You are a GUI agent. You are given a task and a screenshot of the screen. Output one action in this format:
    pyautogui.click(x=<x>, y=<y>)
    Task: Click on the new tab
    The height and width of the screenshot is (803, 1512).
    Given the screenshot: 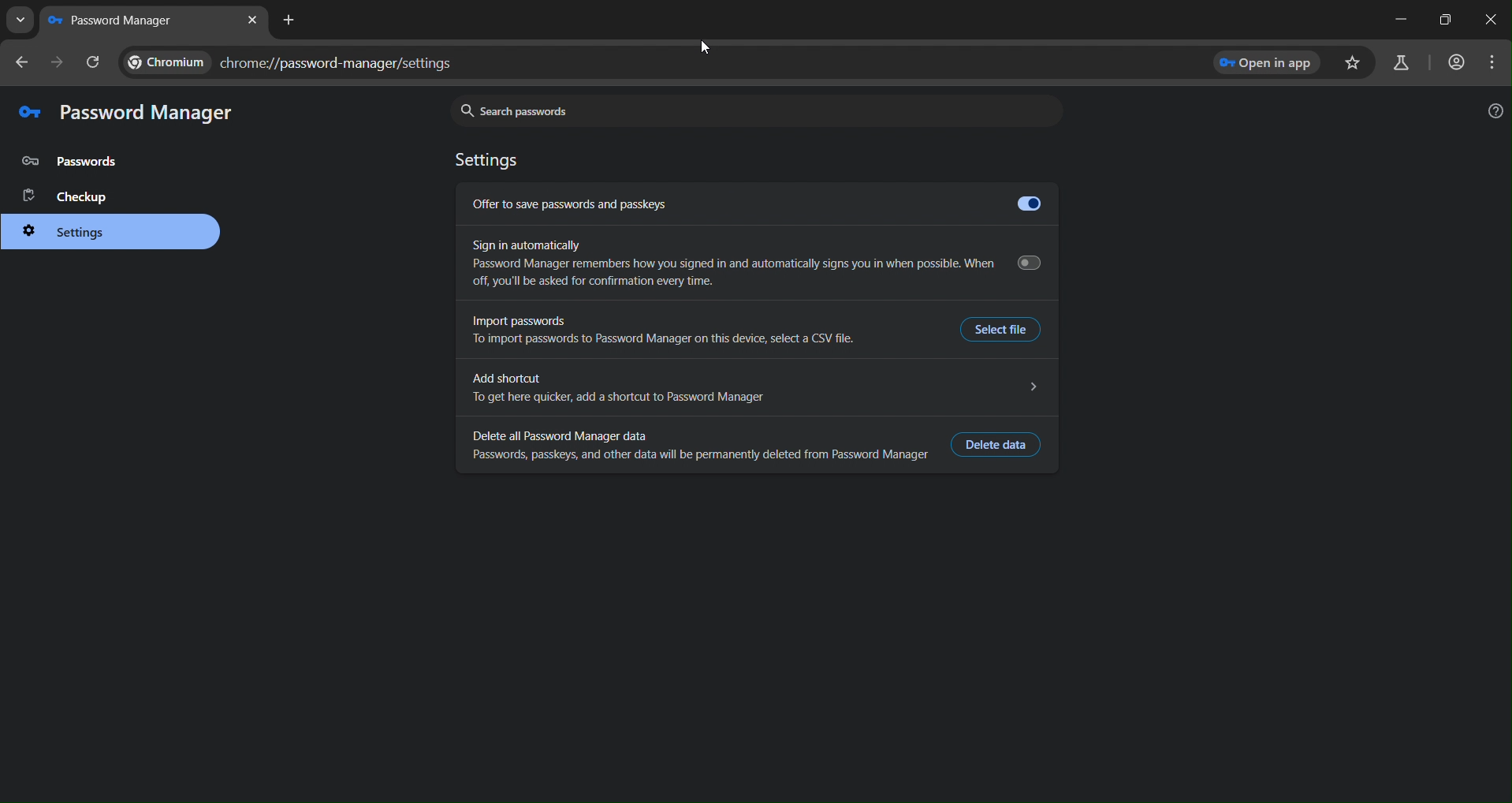 What is the action you would take?
    pyautogui.click(x=292, y=21)
    